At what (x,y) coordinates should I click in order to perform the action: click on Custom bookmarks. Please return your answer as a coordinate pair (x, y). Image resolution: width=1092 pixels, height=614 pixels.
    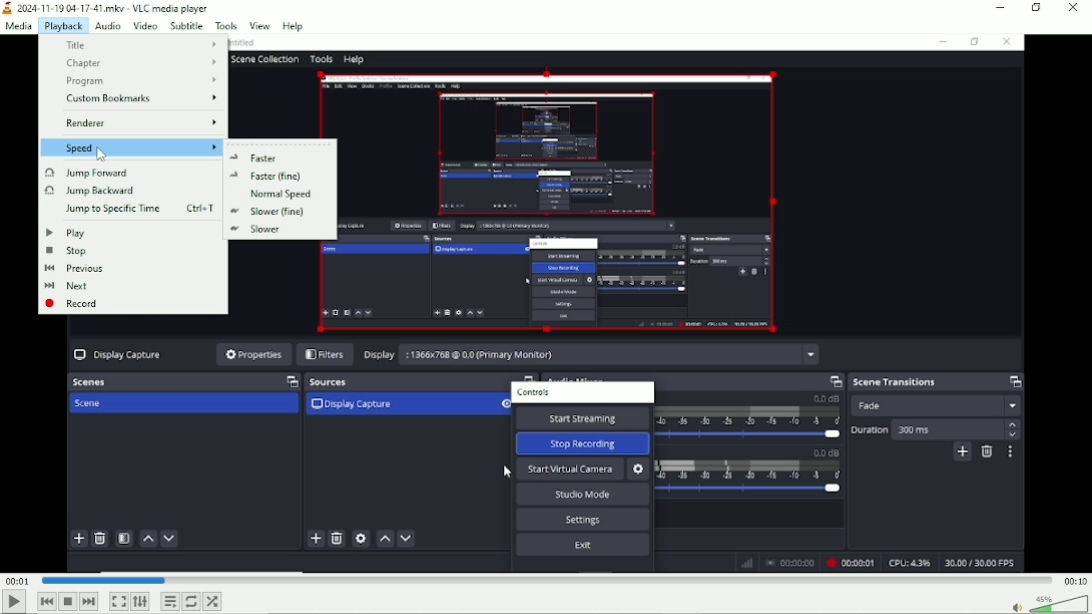
    Looking at the image, I should click on (133, 98).